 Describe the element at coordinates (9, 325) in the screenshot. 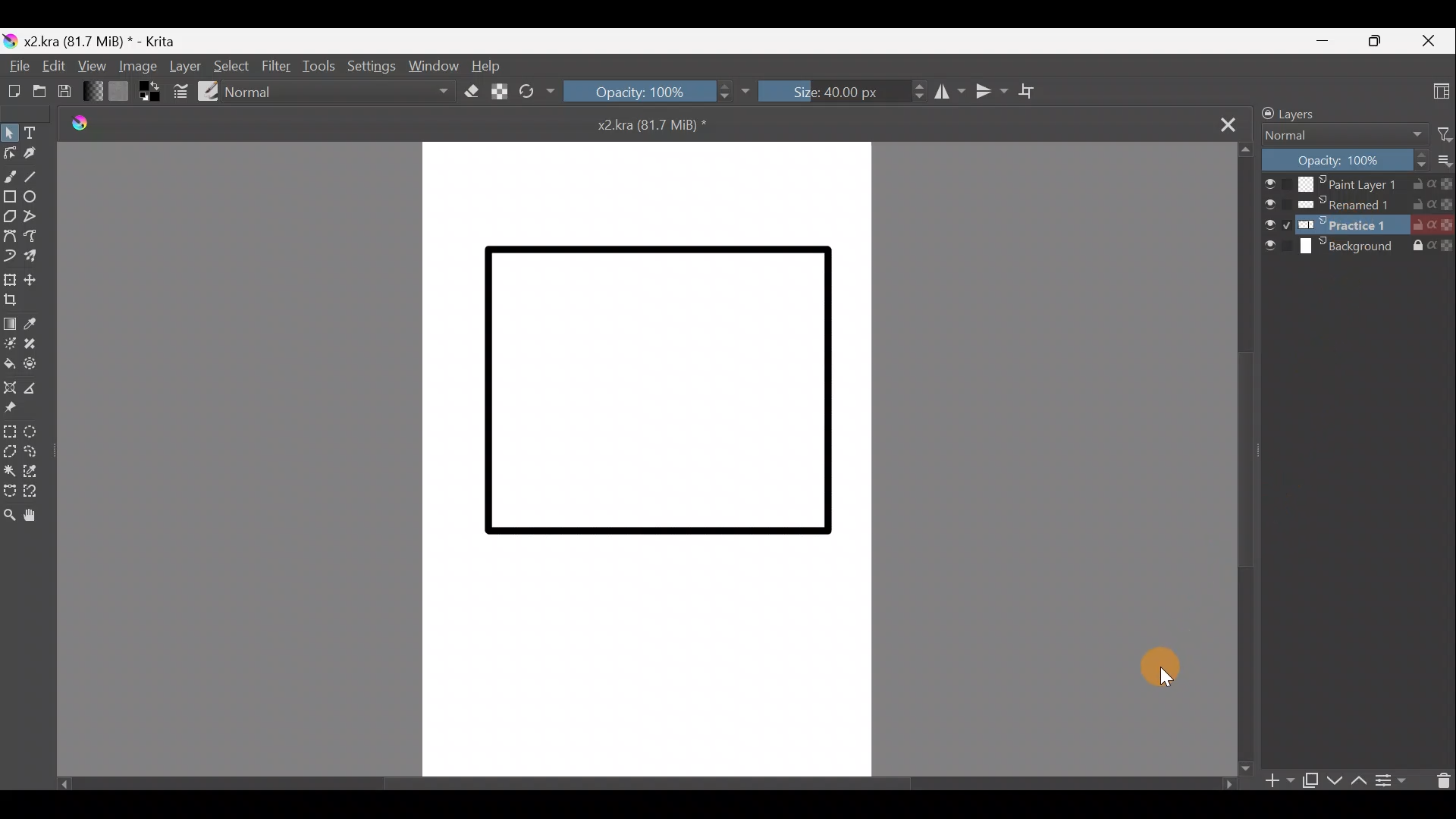

I see `Draw a gradient` at that location.